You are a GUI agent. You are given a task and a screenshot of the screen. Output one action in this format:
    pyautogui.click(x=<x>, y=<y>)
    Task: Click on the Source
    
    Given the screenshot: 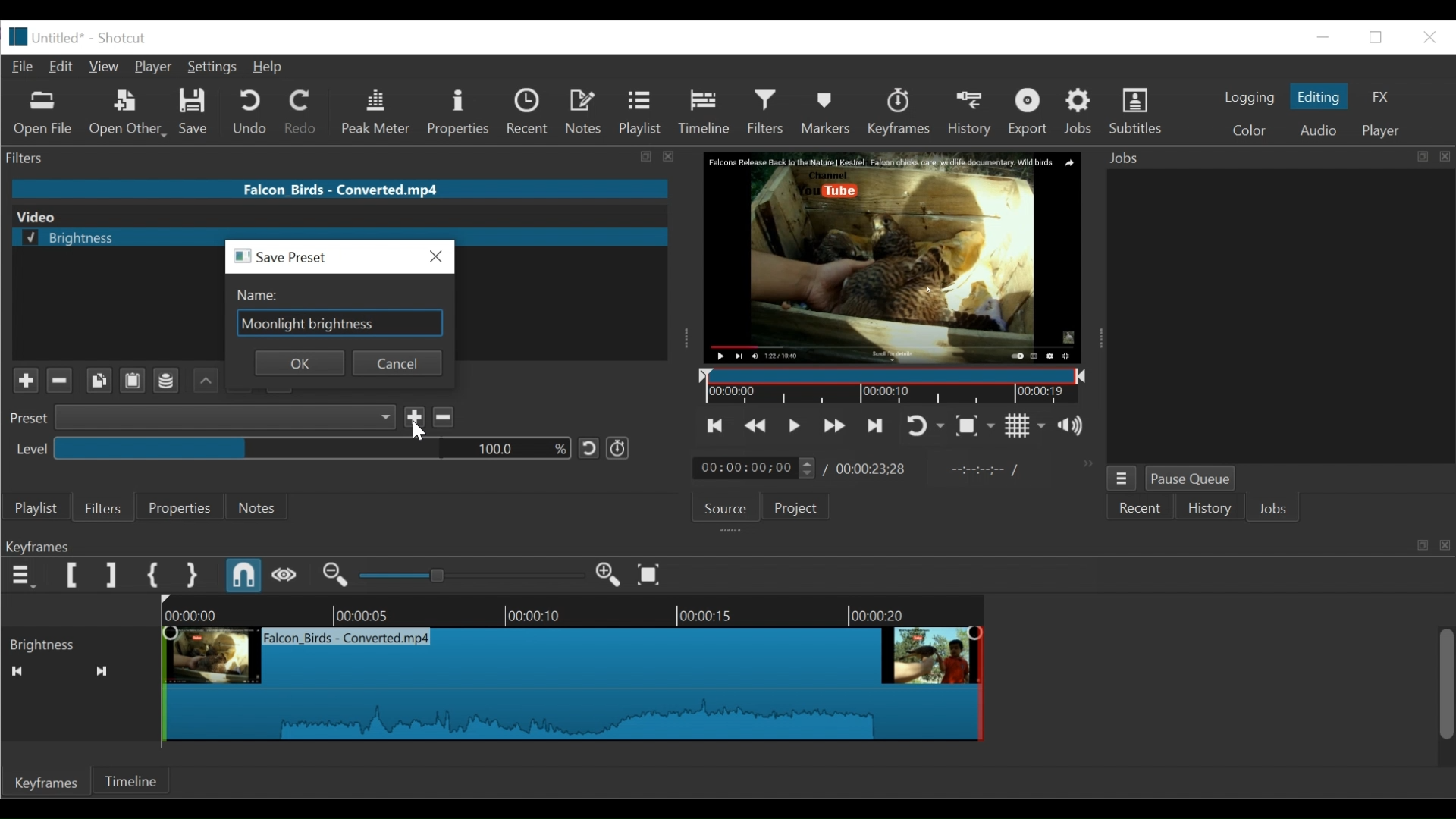 What is the action you would take?
    pyautogui.click(x=726, y=508)
    